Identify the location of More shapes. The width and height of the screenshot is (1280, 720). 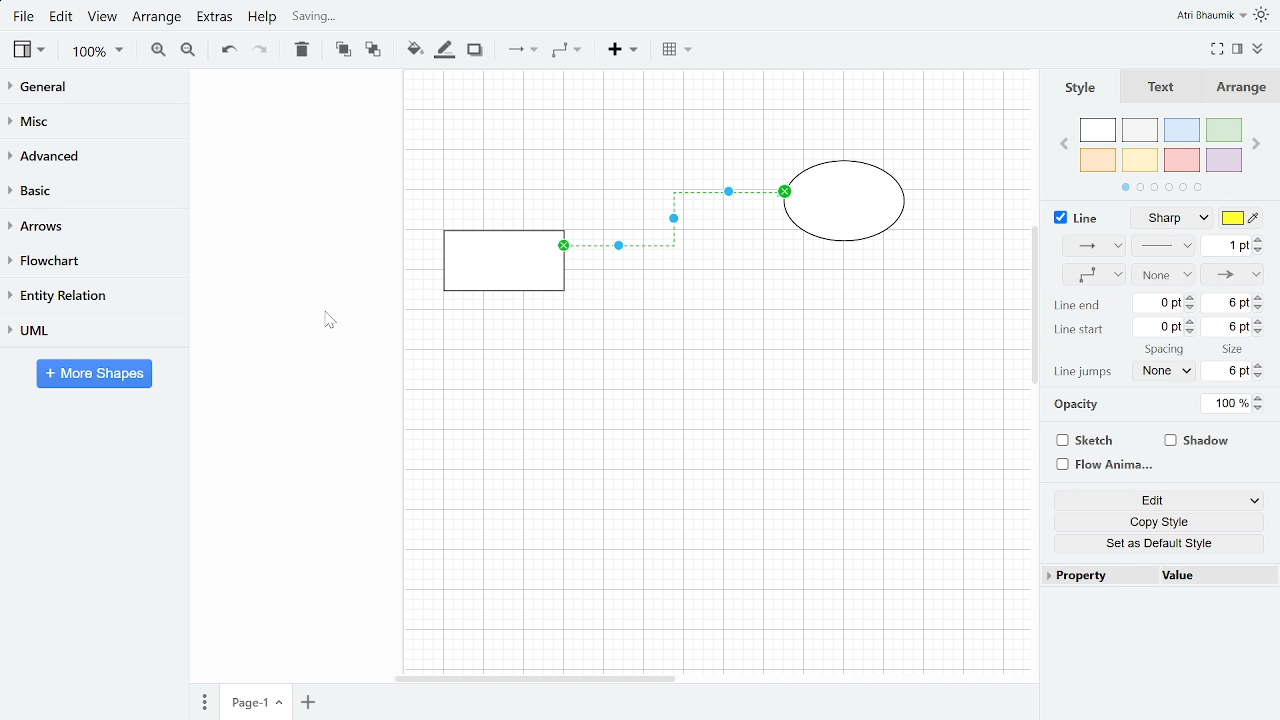
(96, 373).